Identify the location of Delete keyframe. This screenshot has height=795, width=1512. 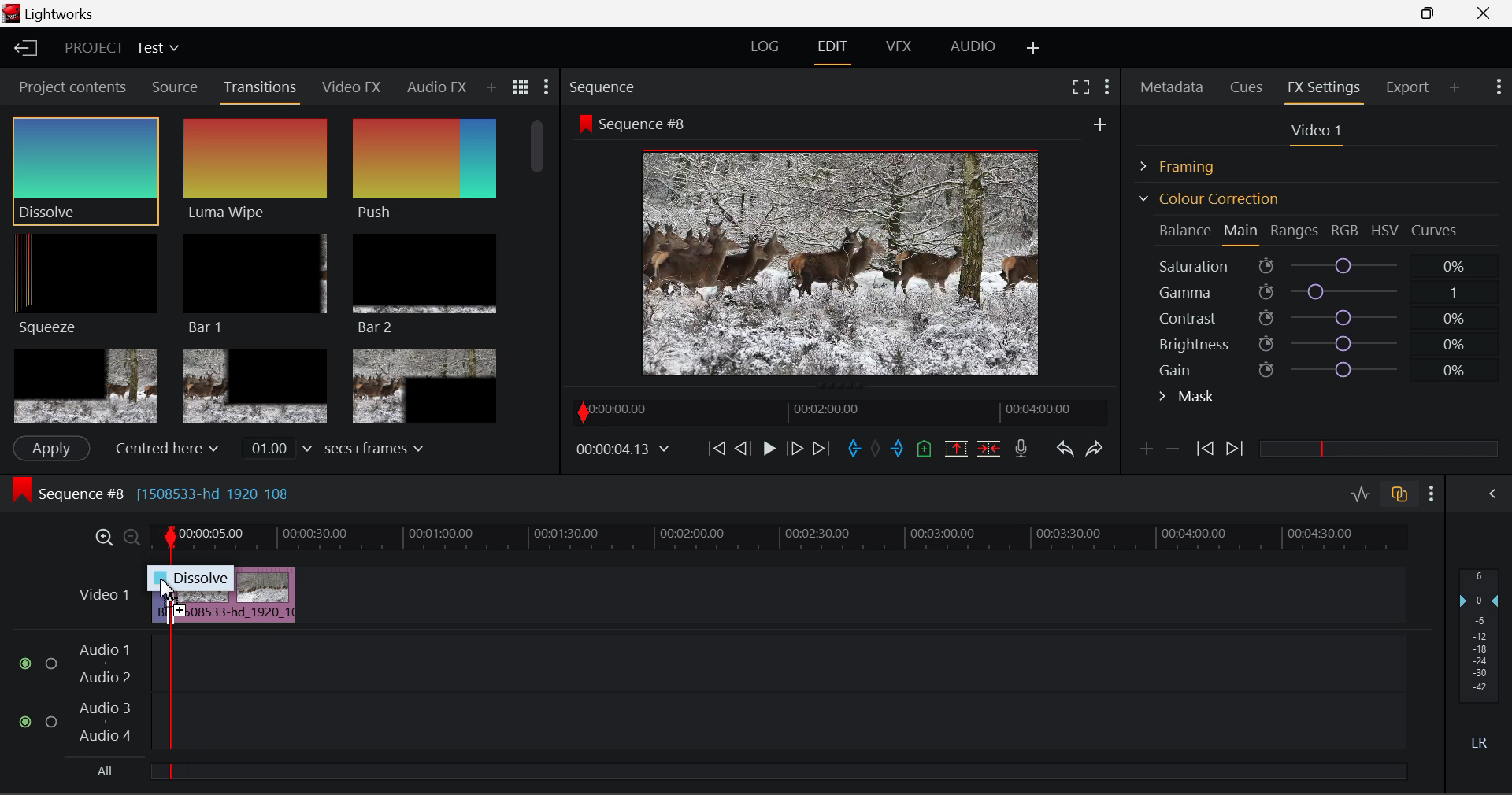
(1173, 452).